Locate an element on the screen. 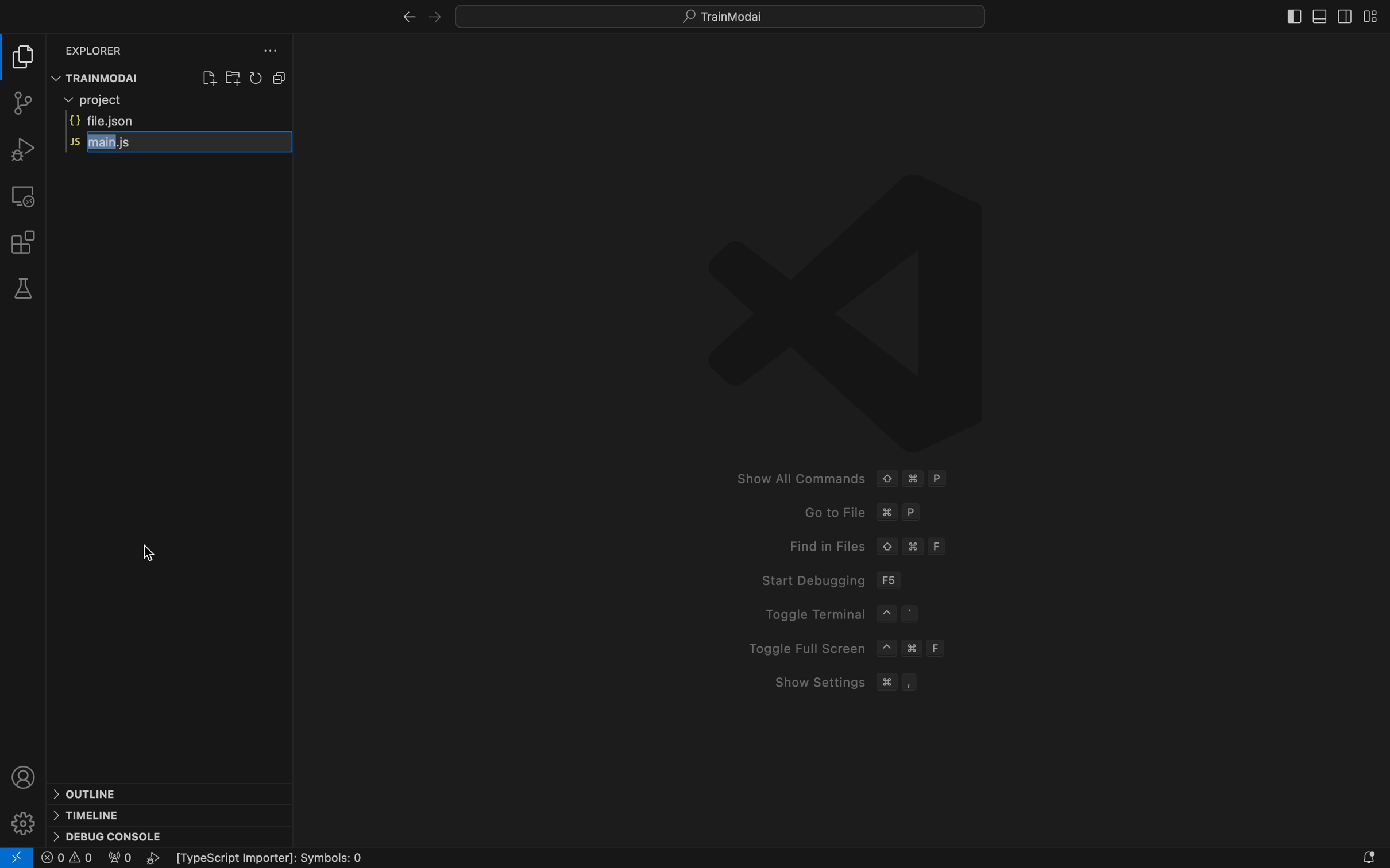 The width and height of the screenshot is (1390, 868). right arrow is located at coordinates (406, 15).